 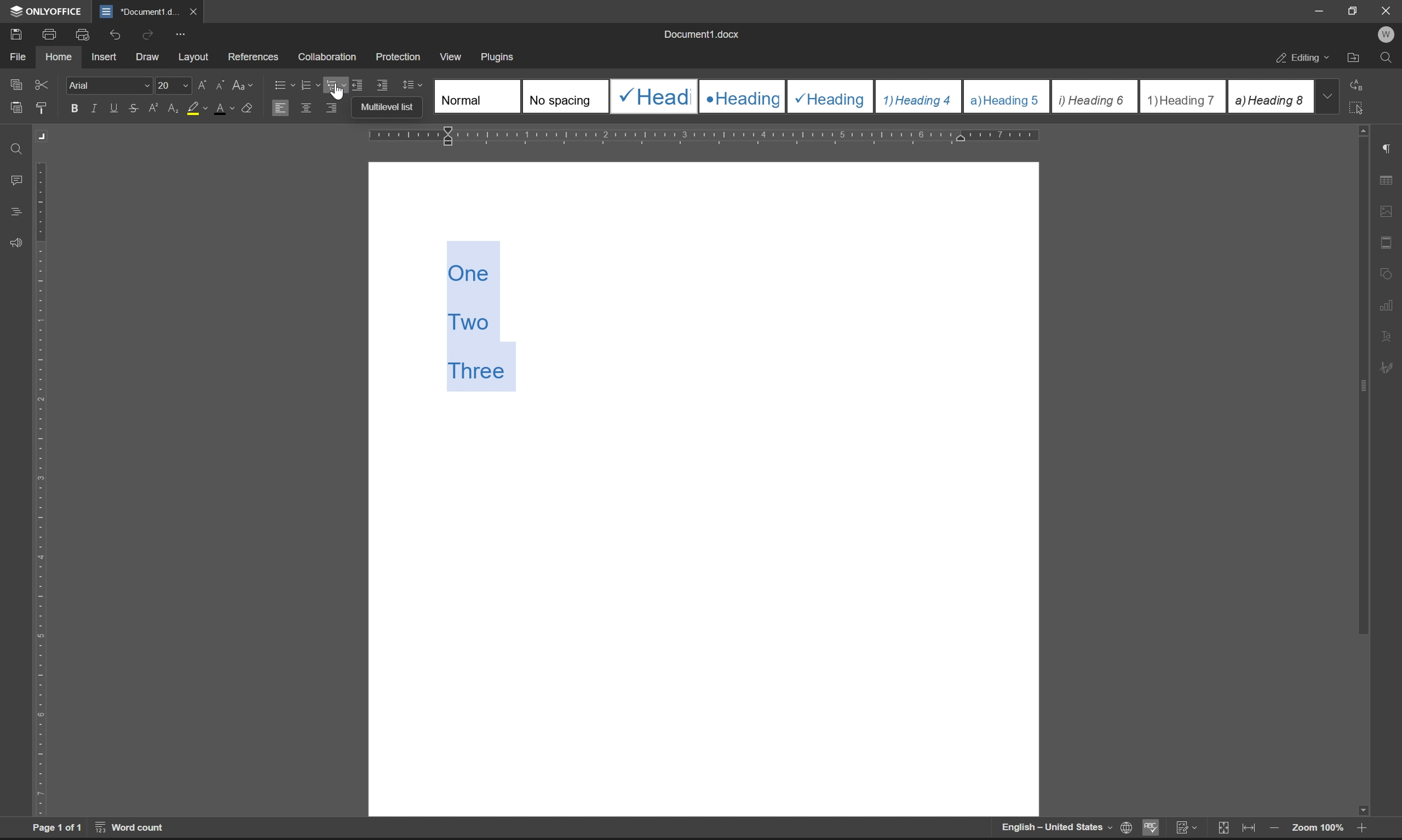 I want to click on spell checking, so click(x=1150, y=827).